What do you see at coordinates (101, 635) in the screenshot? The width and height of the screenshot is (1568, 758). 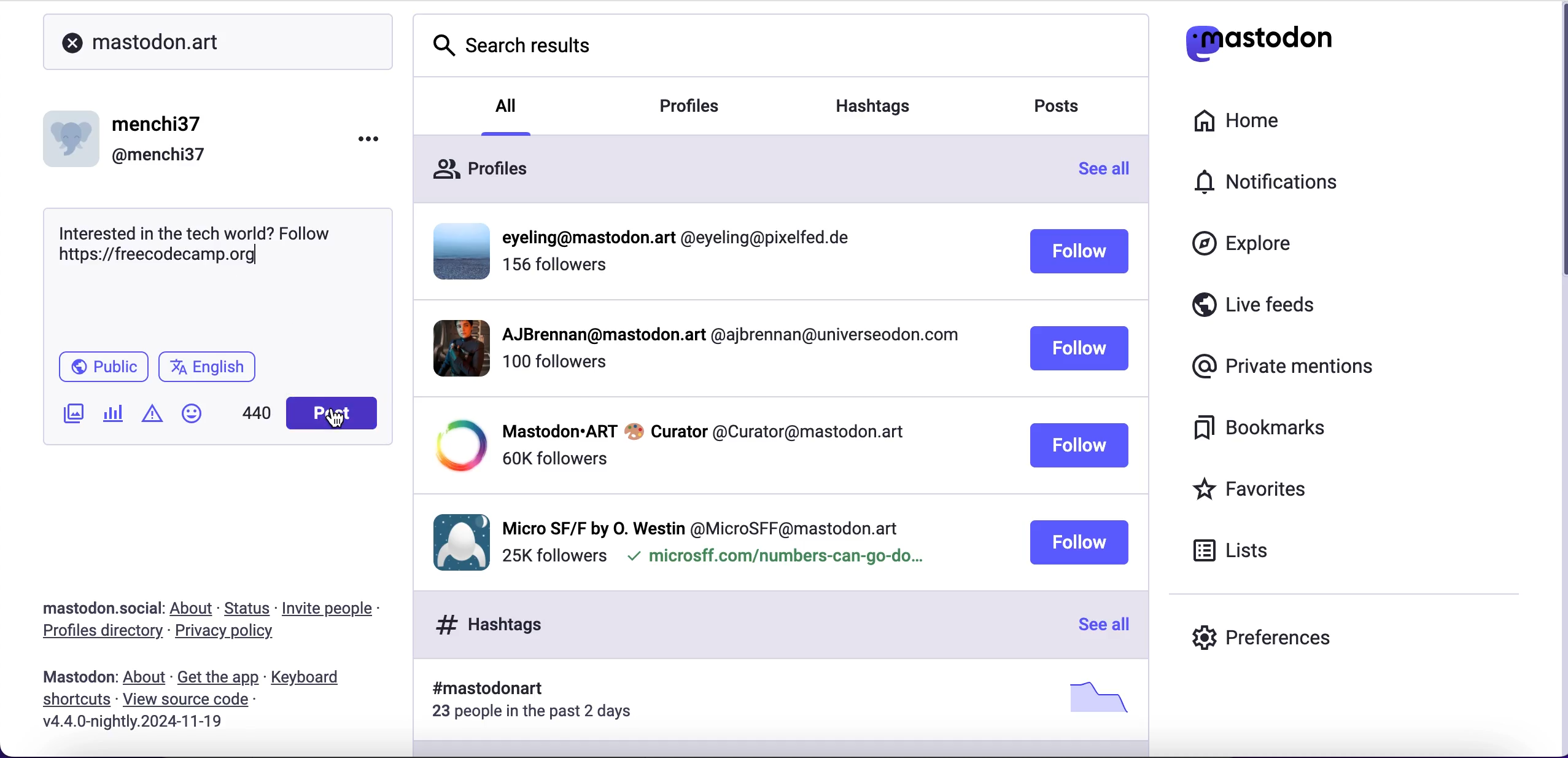 I see `profiles directory` at bounding box center [101, 635].